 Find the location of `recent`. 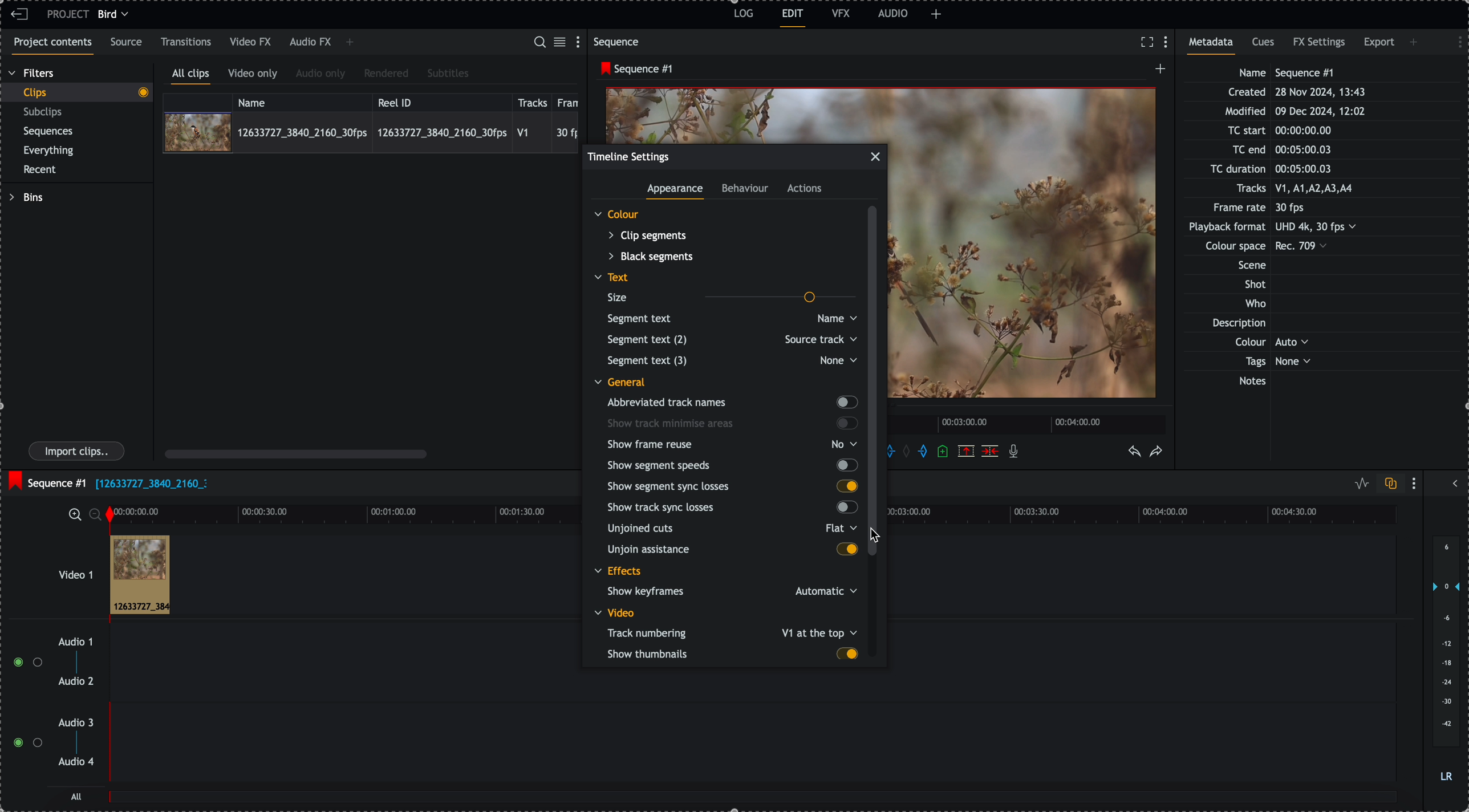

recent is located at coordinates (42, 170).